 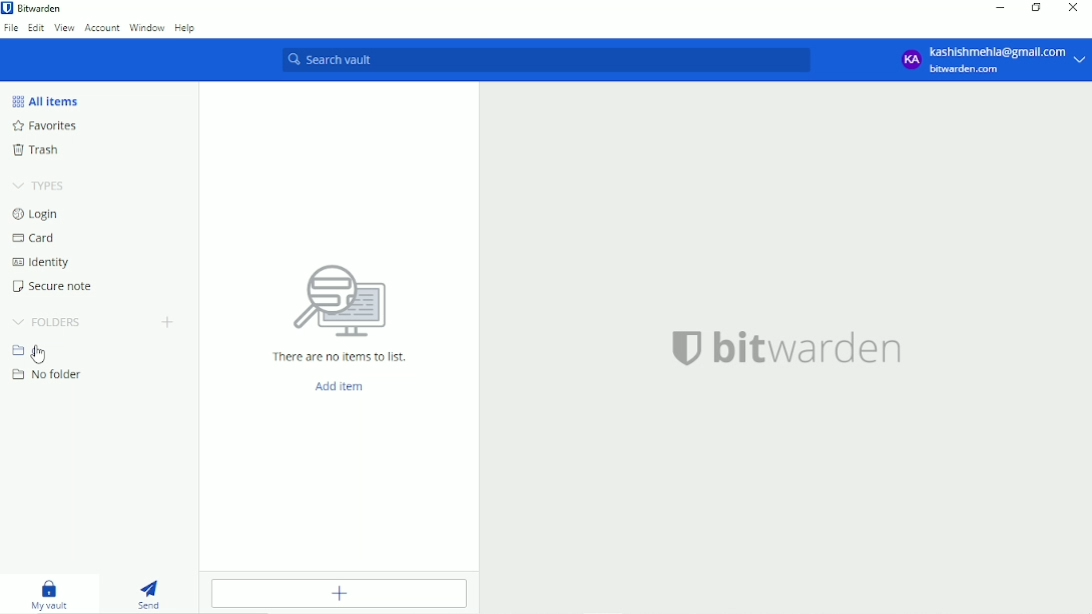 What do you see at coordinates (187, 28) in the screenshot?
I see `Help` at bounding box center [187, 28].